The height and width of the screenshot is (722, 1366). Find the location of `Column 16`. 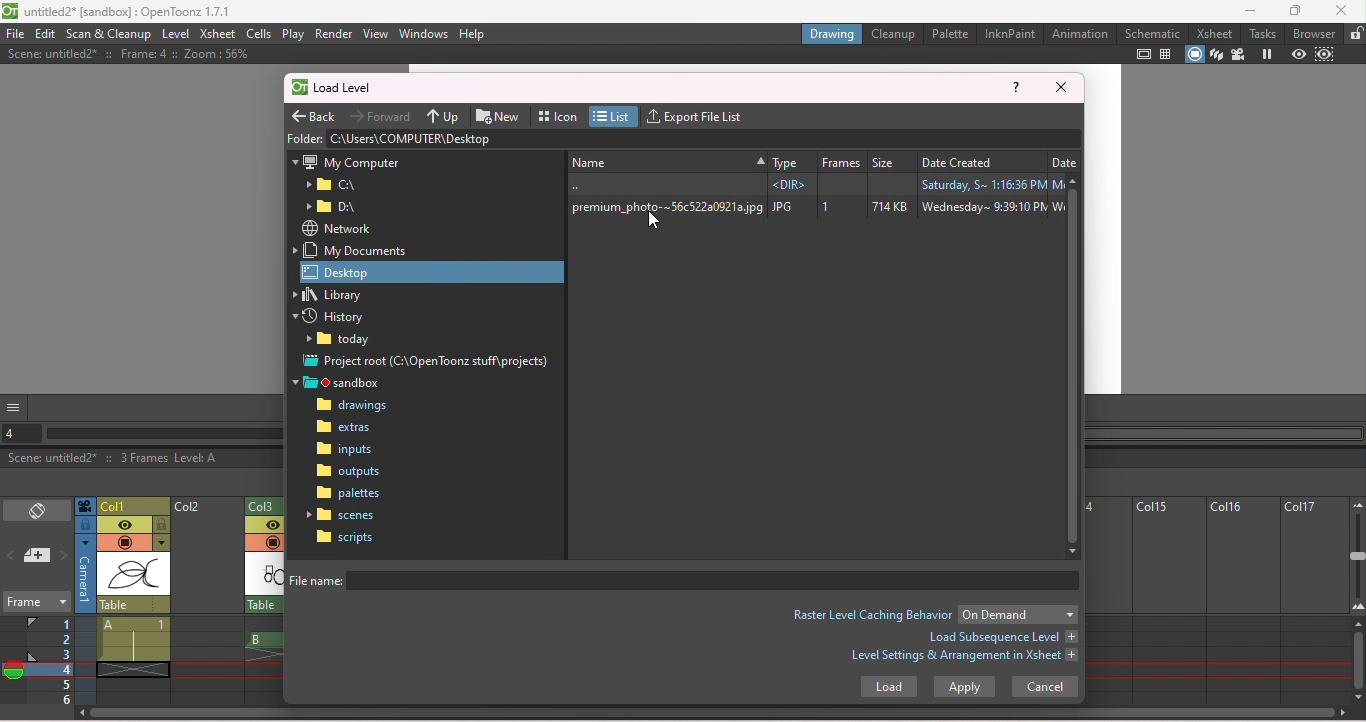

Column 16 is located at coordinates (1241, 601).